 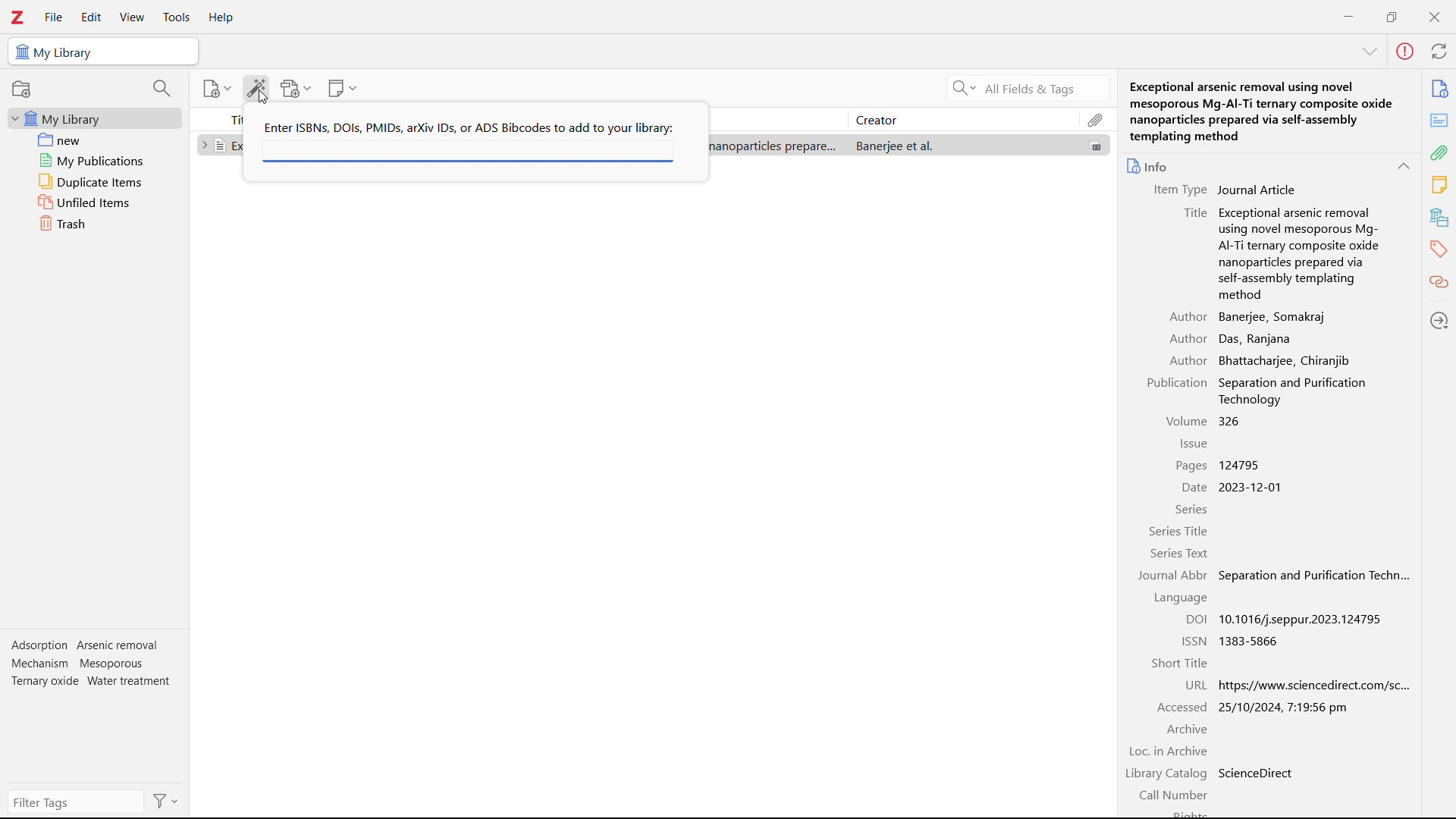 I want to click on Call number, so click(x=1176, y=796).